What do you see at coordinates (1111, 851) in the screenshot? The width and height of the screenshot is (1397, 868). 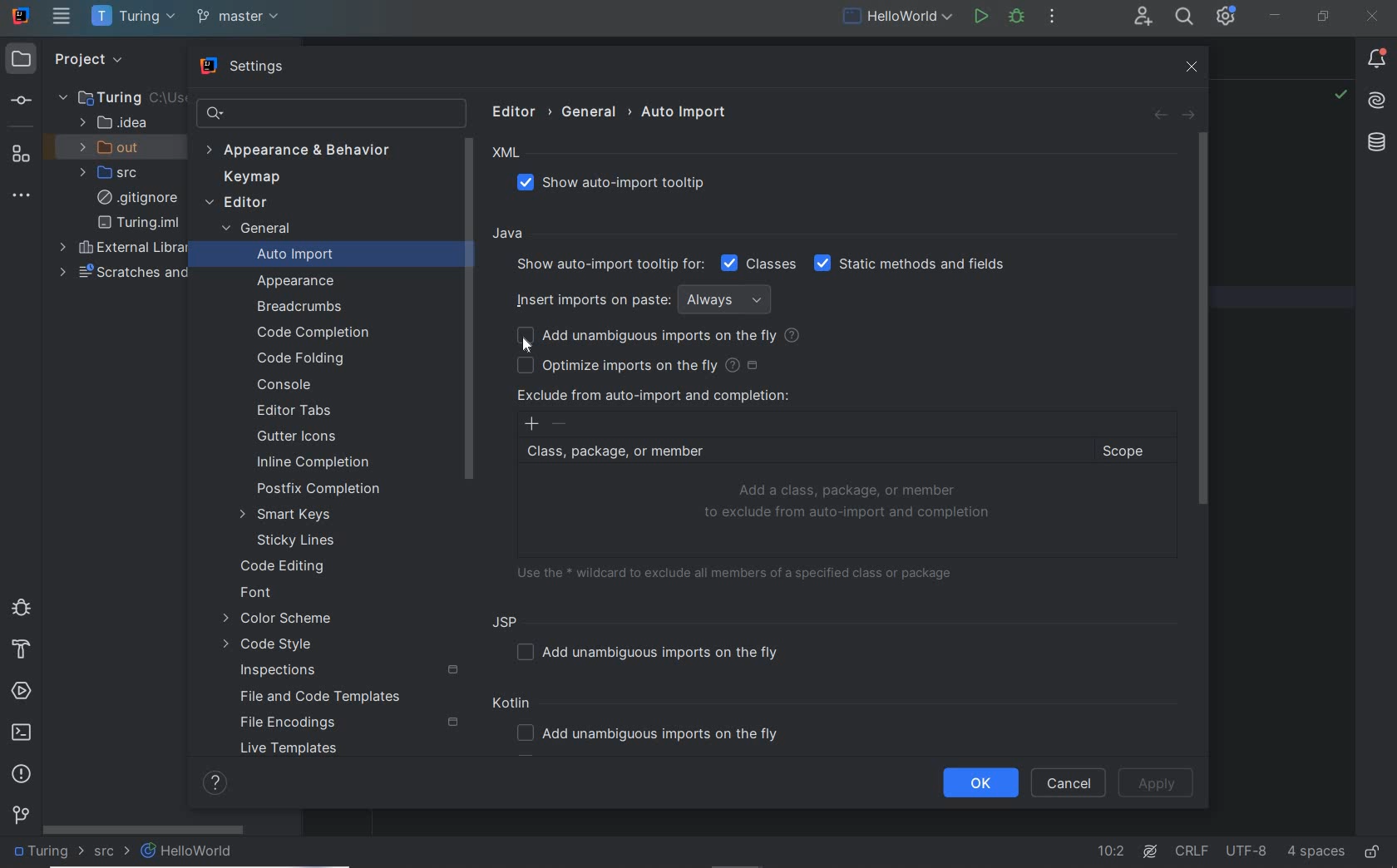 I see `go to line 10:2` at bounding box center [1111, 851].